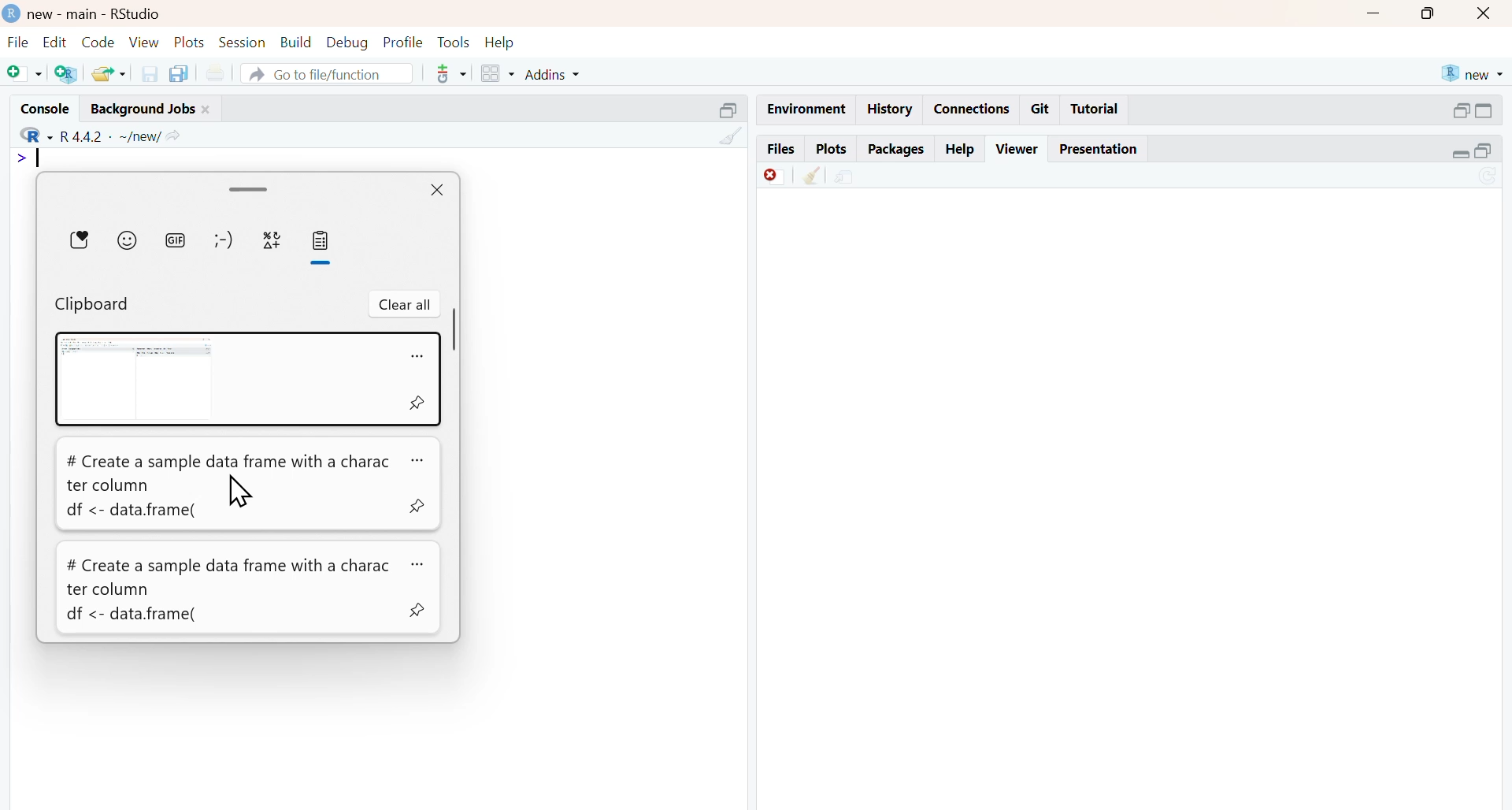 Image resolution: width=1512 pixels, height=810 pixels. What do you see at coordinates (189, 43) in the screenshot?
I see `plots` at bounding box center [189, 43].